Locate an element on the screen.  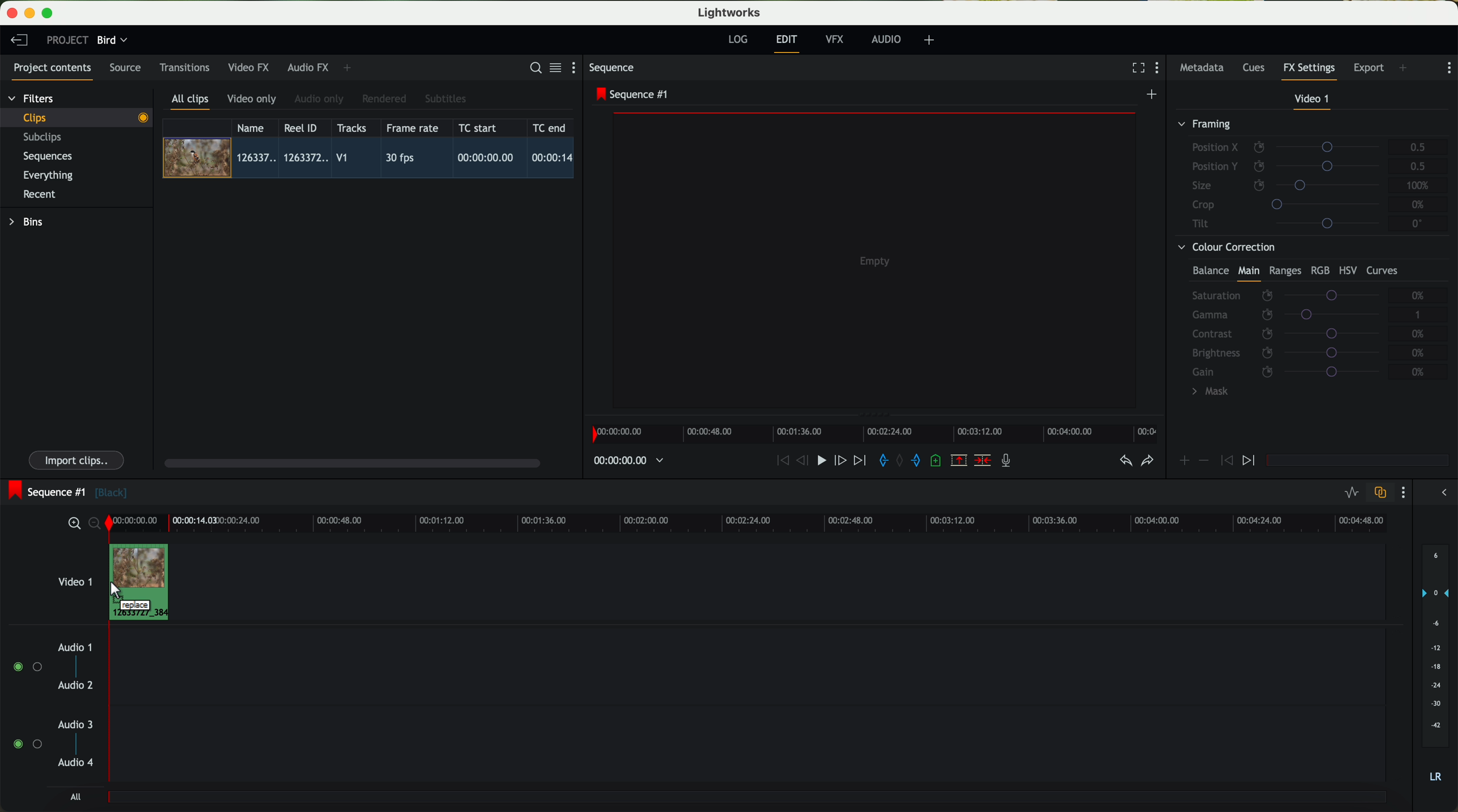
undo is located at coordinates (1125, 461).